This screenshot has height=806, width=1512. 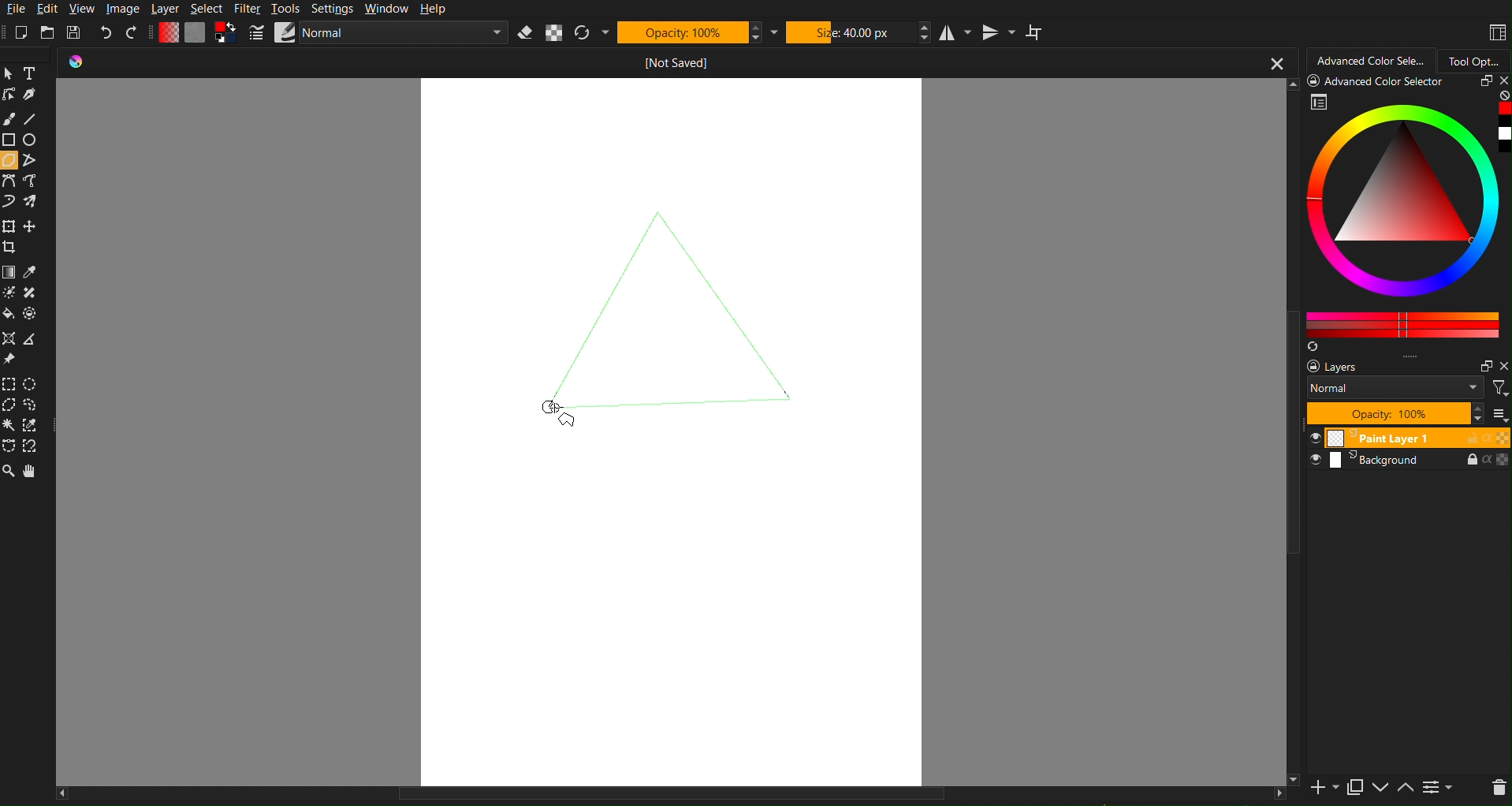 What do you see at coordinates (9, 203) in the screenshot?
I see `dynamic brush tool` at bounding box center [9, 203].